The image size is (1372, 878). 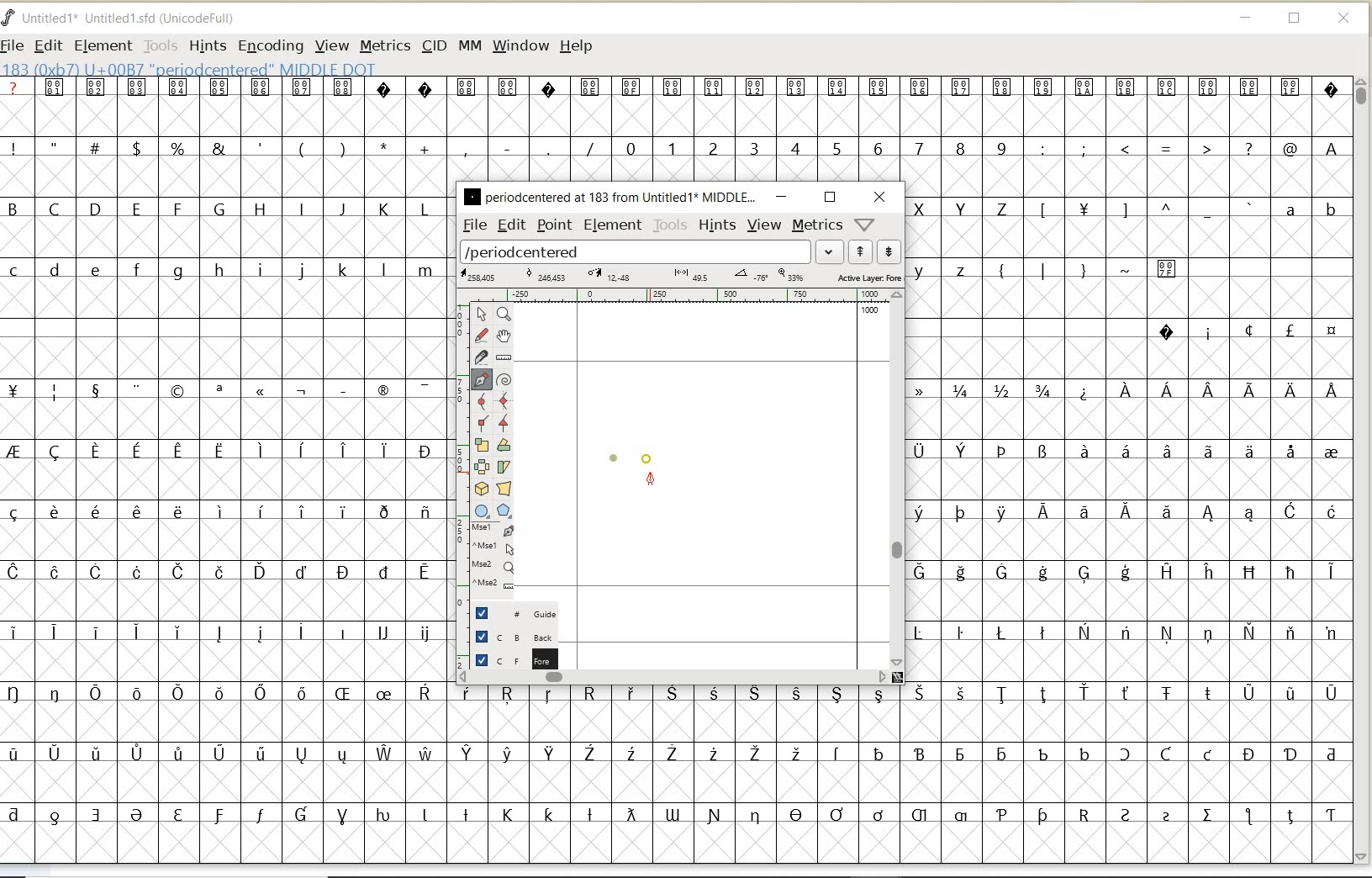 I want to click on show previous word list, so click(x=862, y=252).